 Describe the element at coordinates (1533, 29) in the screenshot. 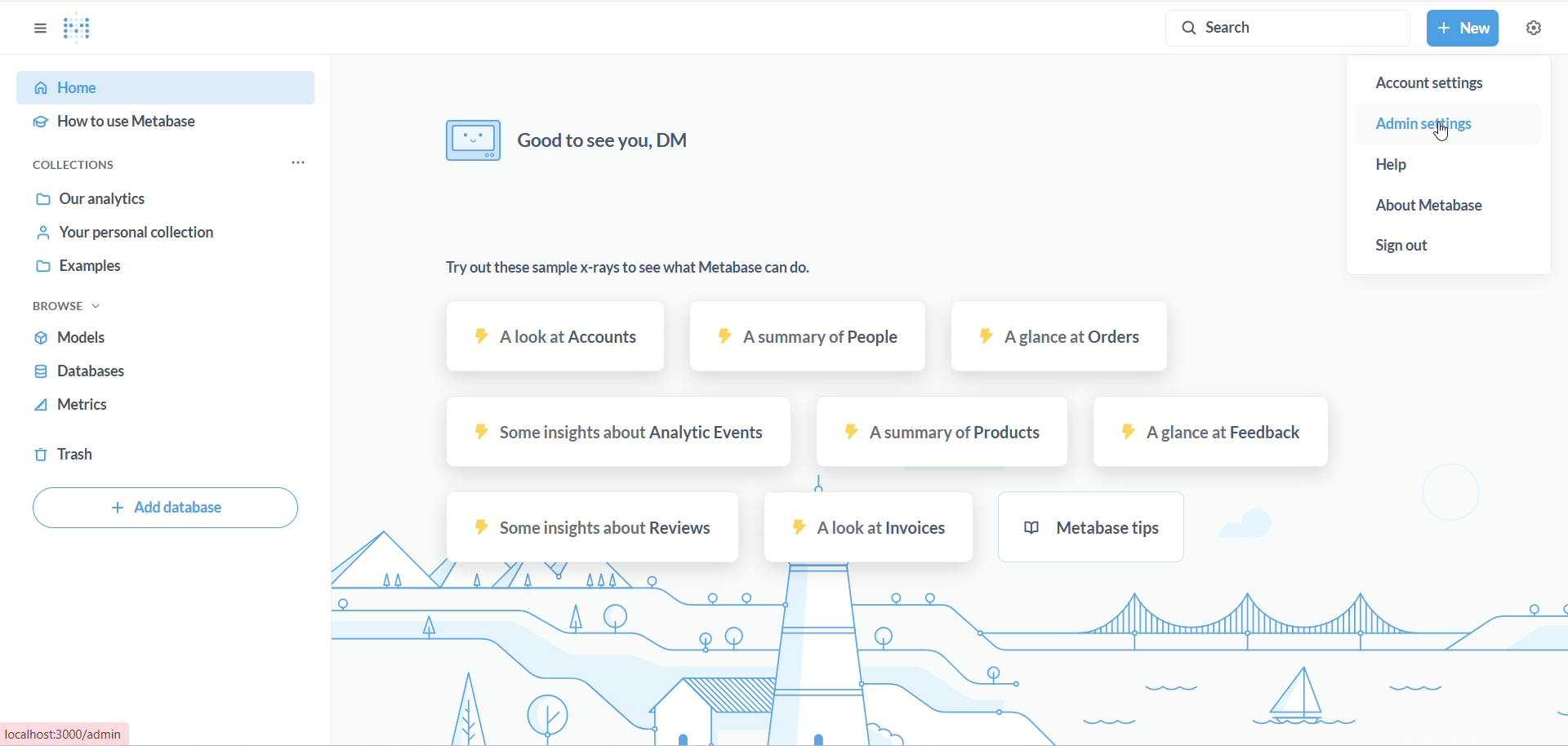

I see `SETTINGS` at that location.